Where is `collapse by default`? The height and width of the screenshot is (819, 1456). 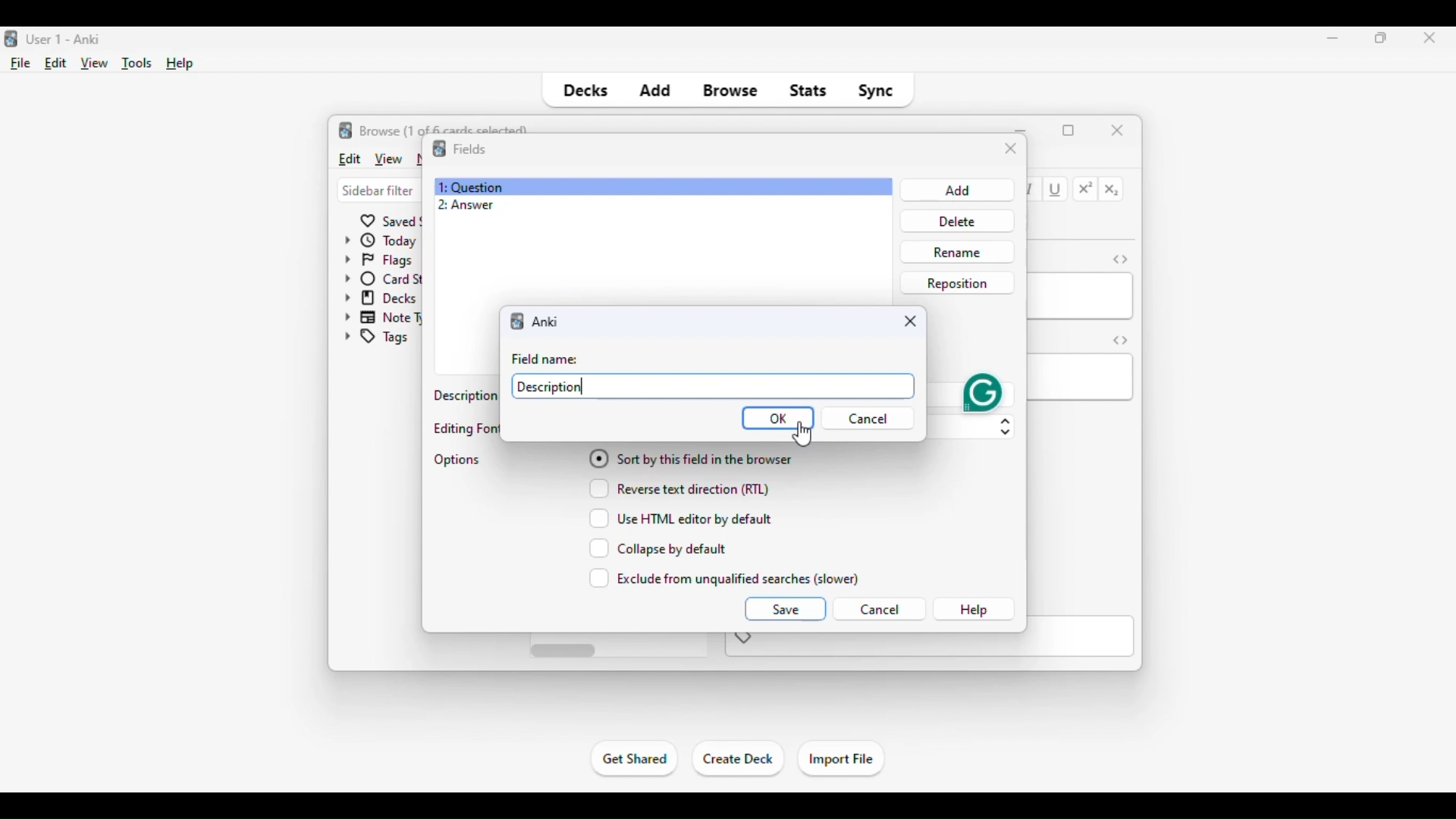 collapse by default is located at coordinates (658, 548).